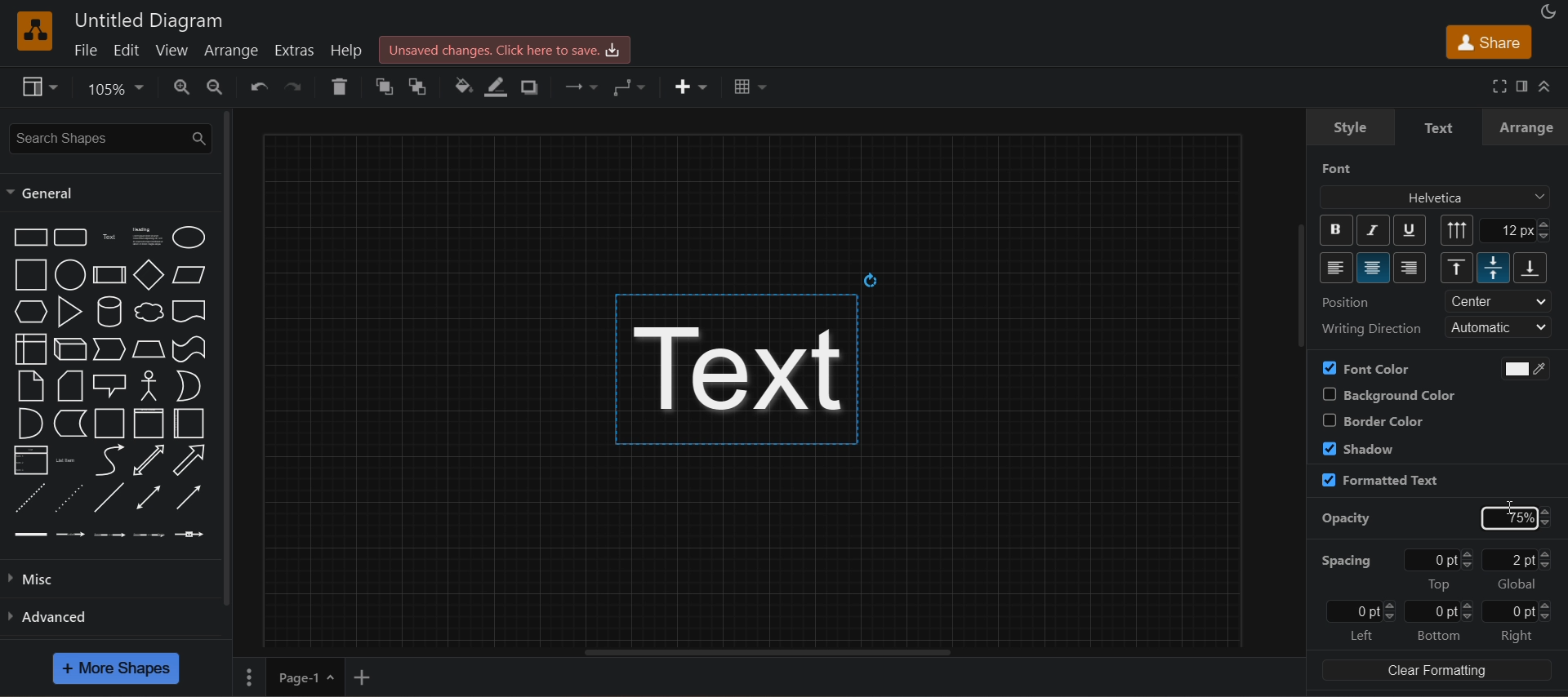 Image resolution: width=1568 pixels, height=697 pixels. What do you see at coordinates (1457, 267) in the screenshot?
I see `top` at bounding box center [1457, 267].